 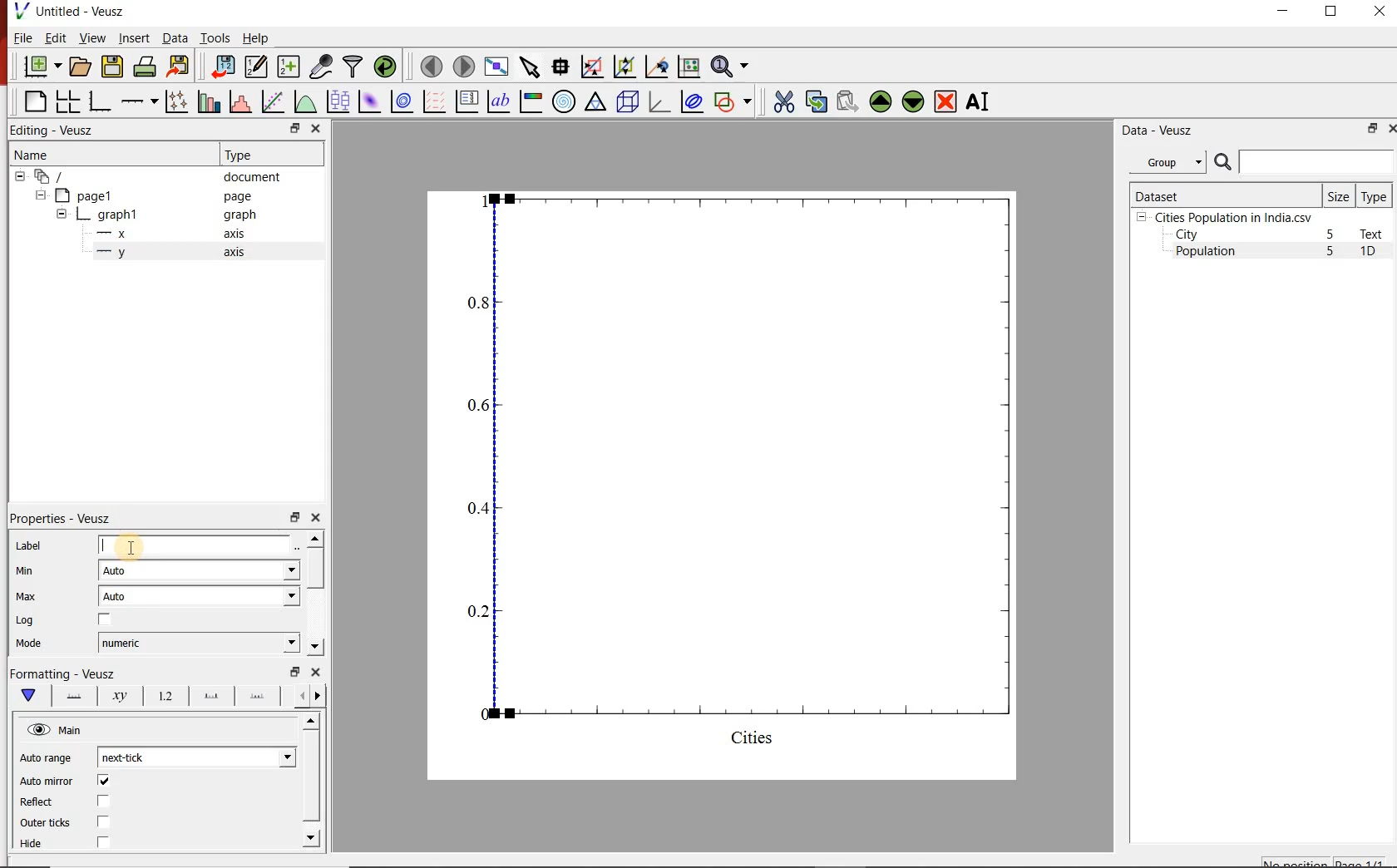 I want to click on File, so click(x=23, y=37).